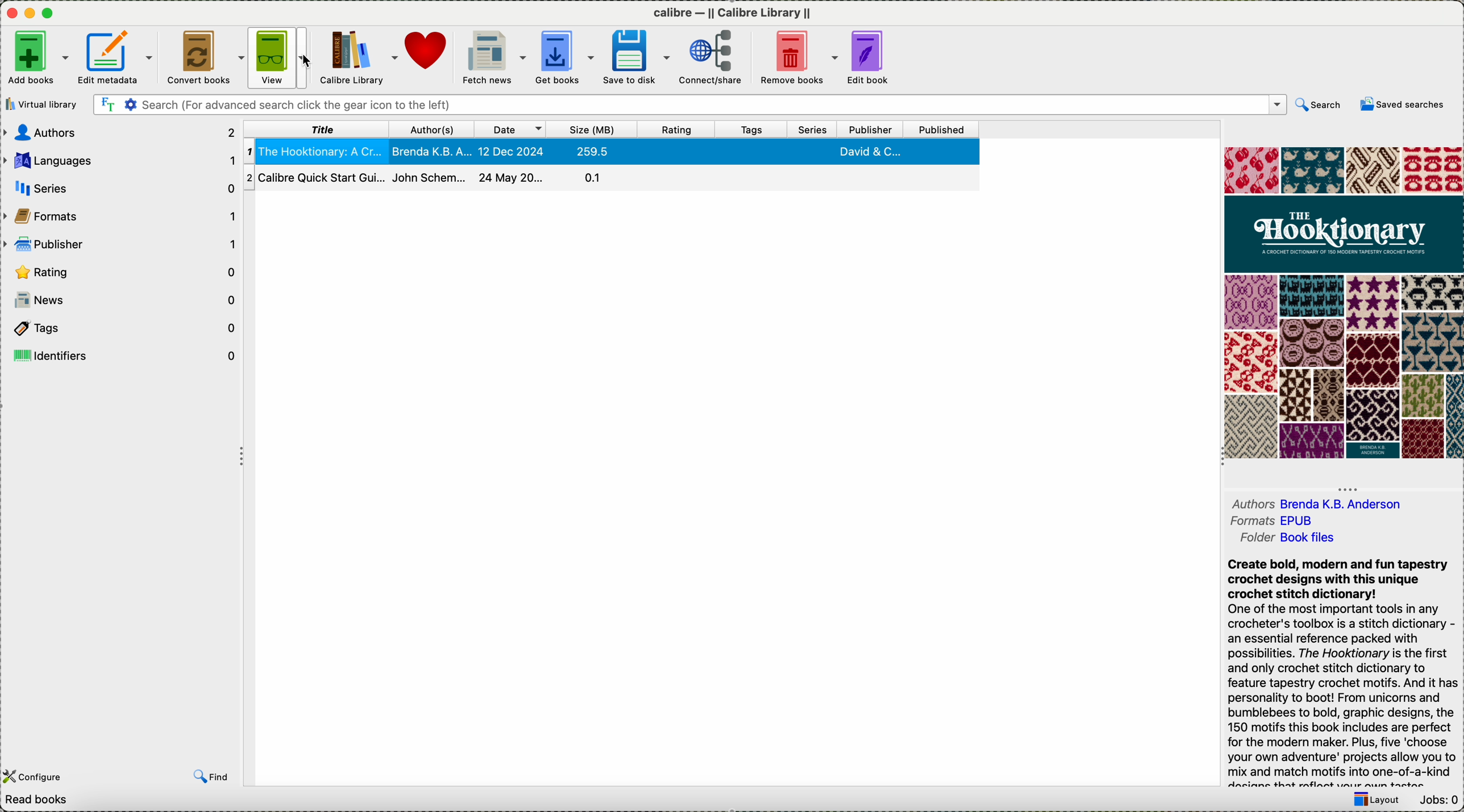  I want to click on virtual library, so click(45, 105).